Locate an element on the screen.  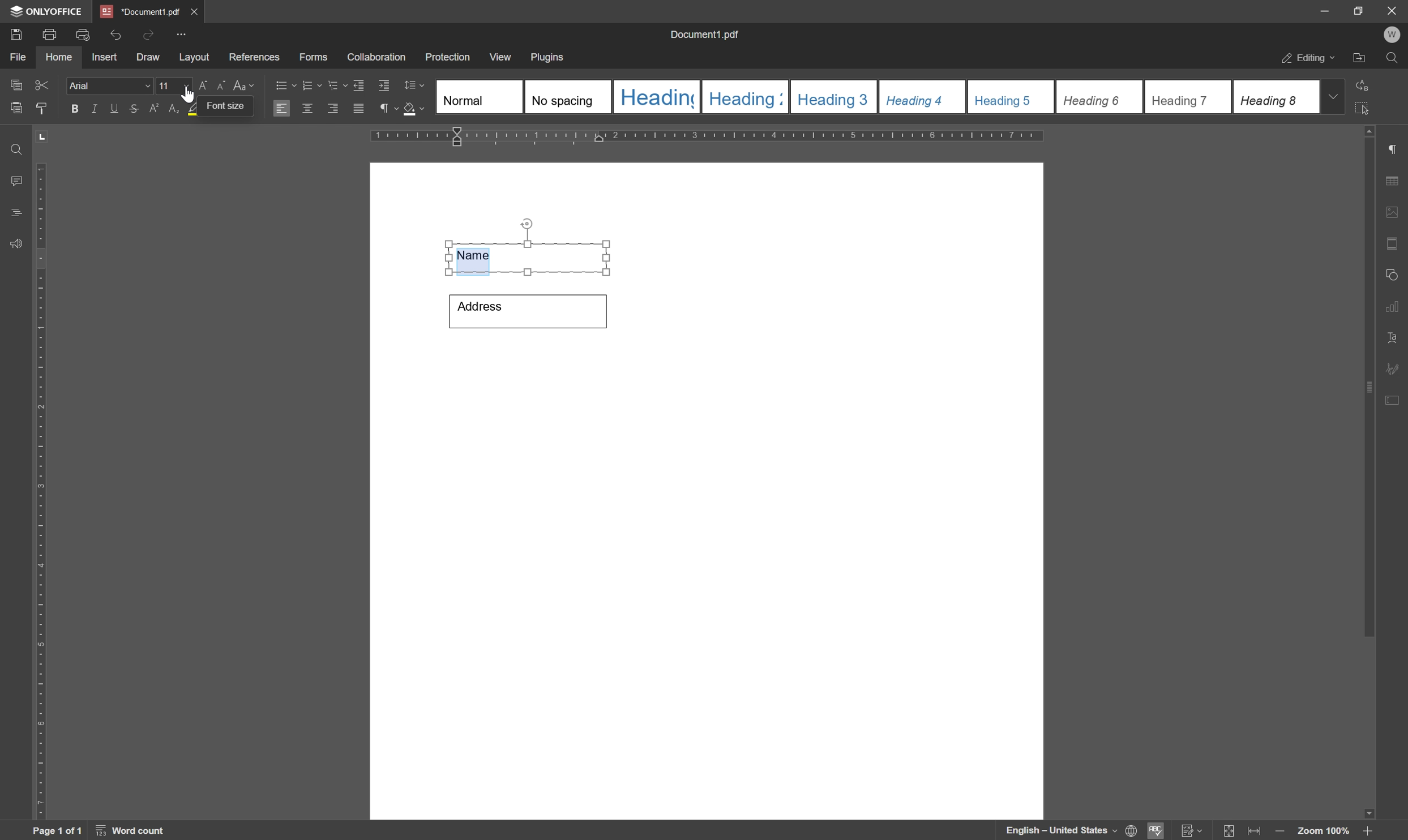
text art settings is located at coordinates (1397, 338).